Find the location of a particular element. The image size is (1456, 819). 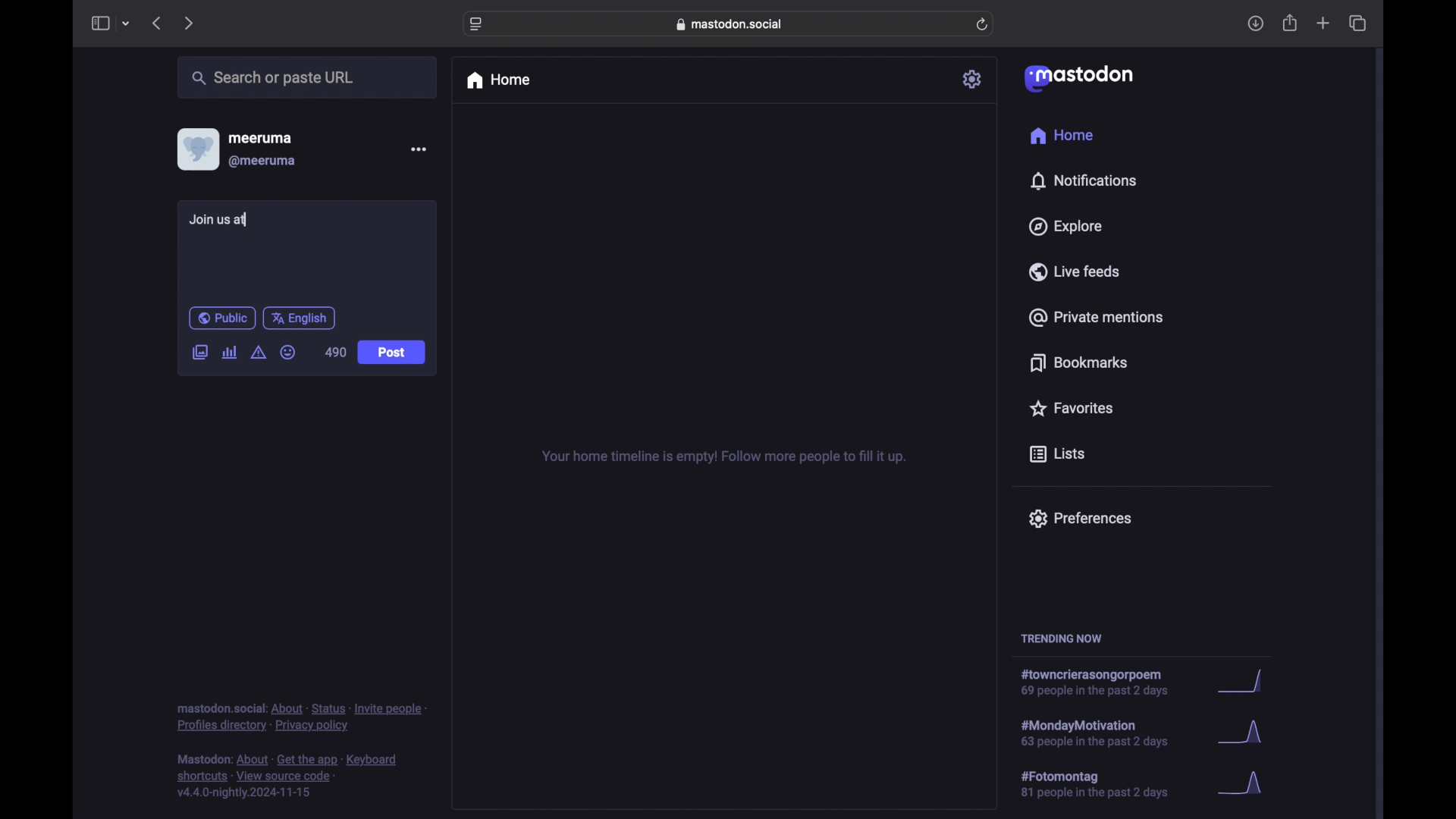

download is located at coordinates (1256, 24).